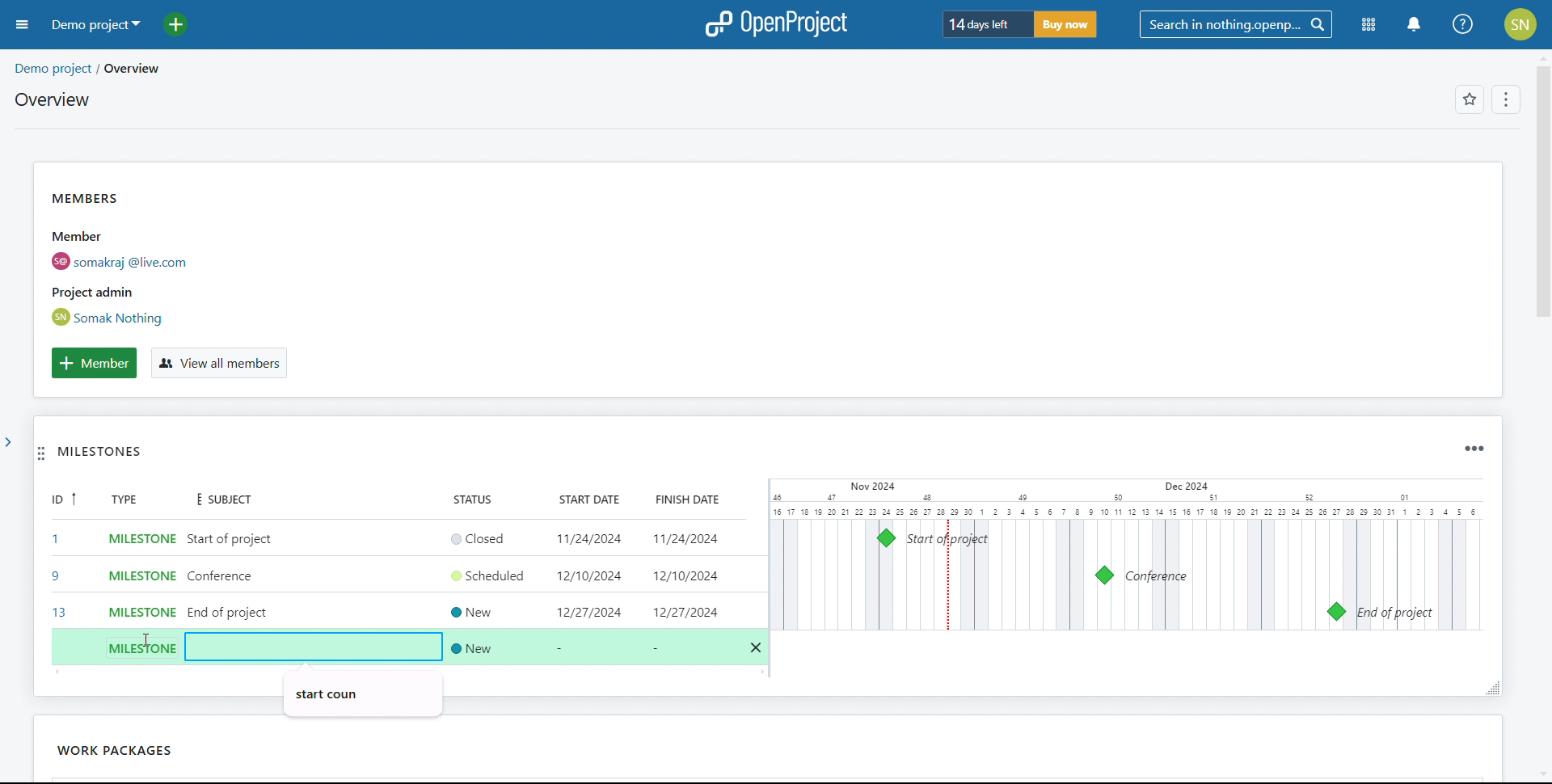  Describe the element at coordinates (985, 25) in the screenshot. I see `days left for trial` at that location.